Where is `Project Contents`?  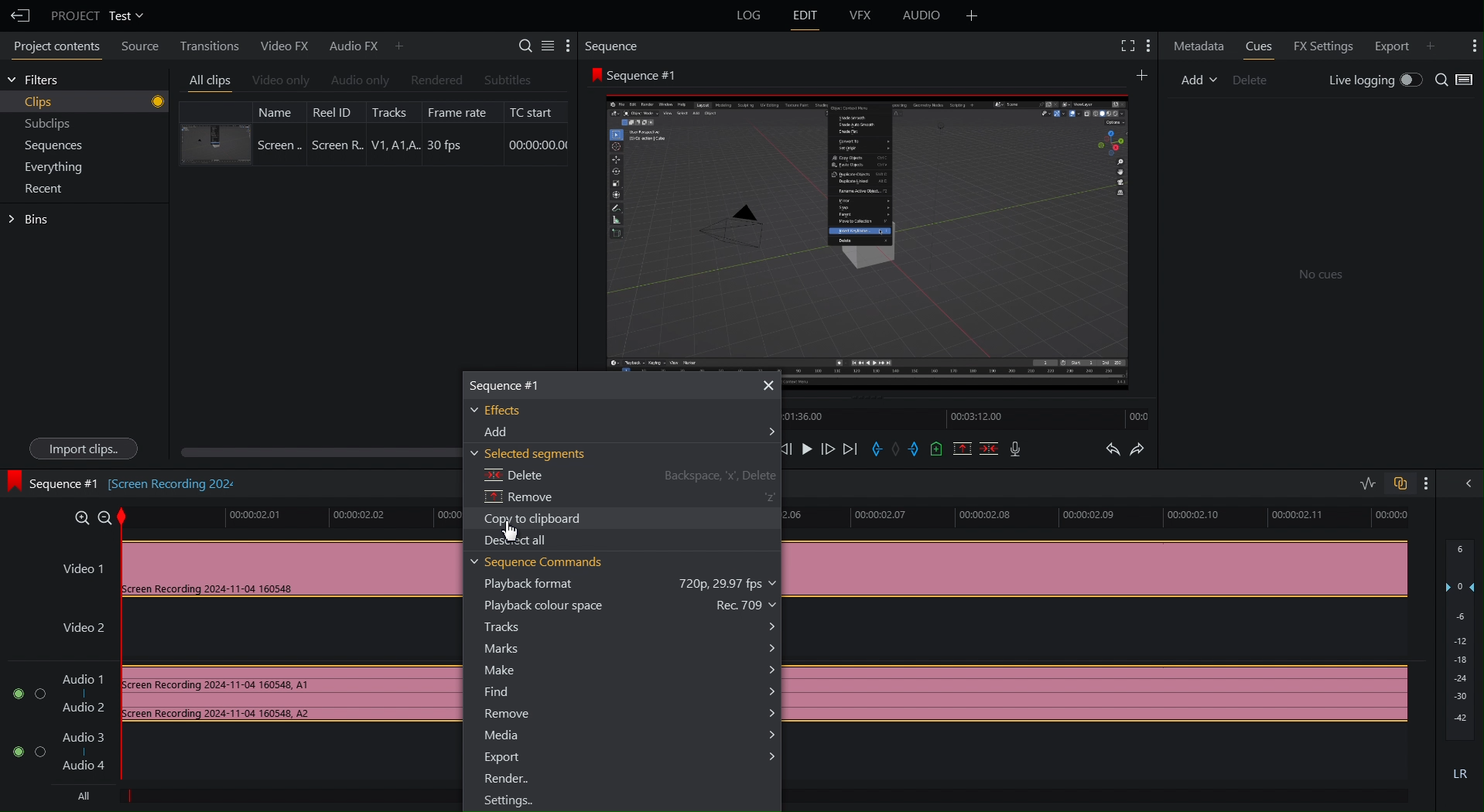 Project Contents is located at coordinates (56, 46).